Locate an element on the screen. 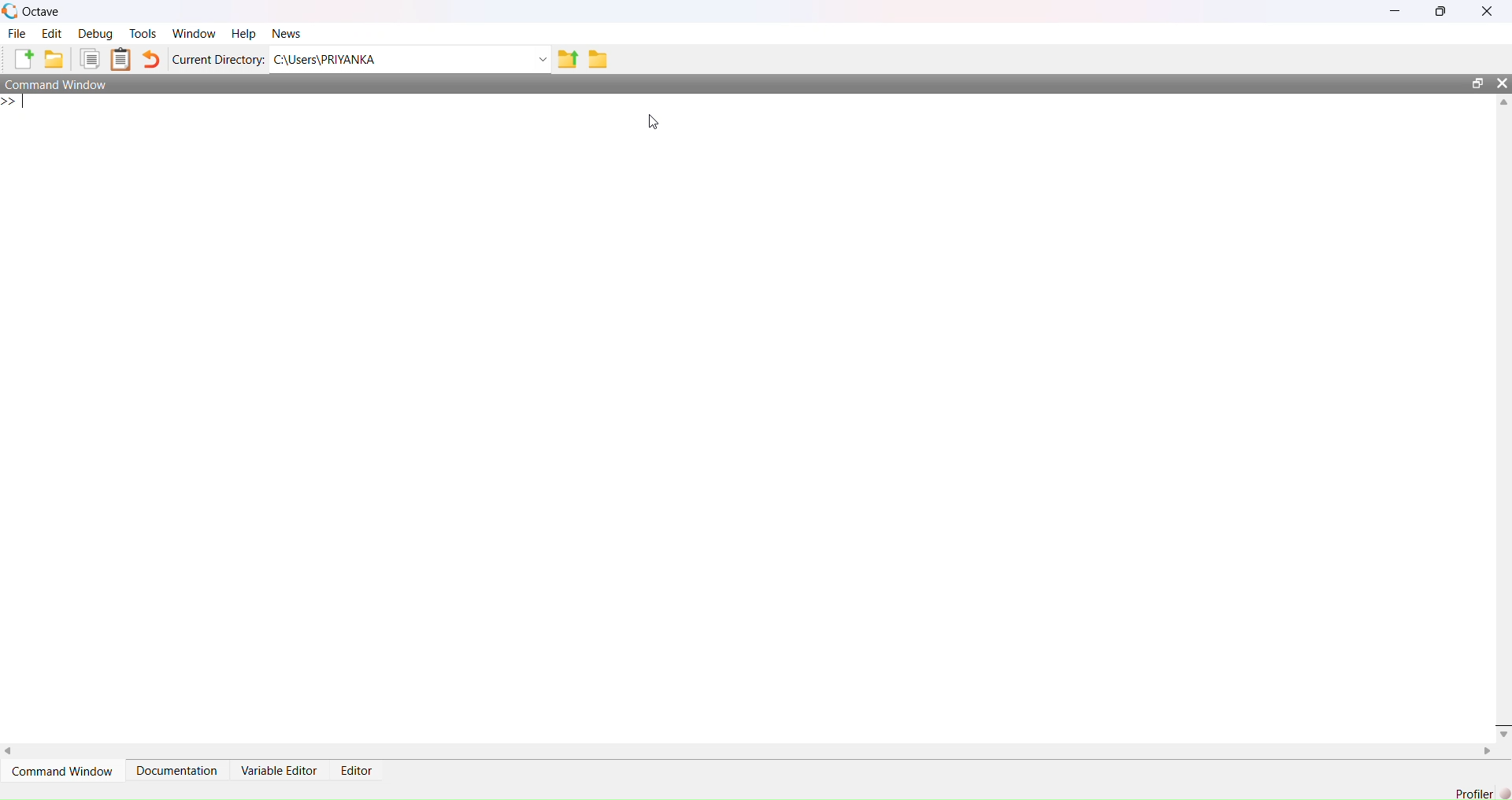 Image resolution: width=1512 pixels, height=800 pixels. Scroll Down  is located at coordinates (1503, 733).